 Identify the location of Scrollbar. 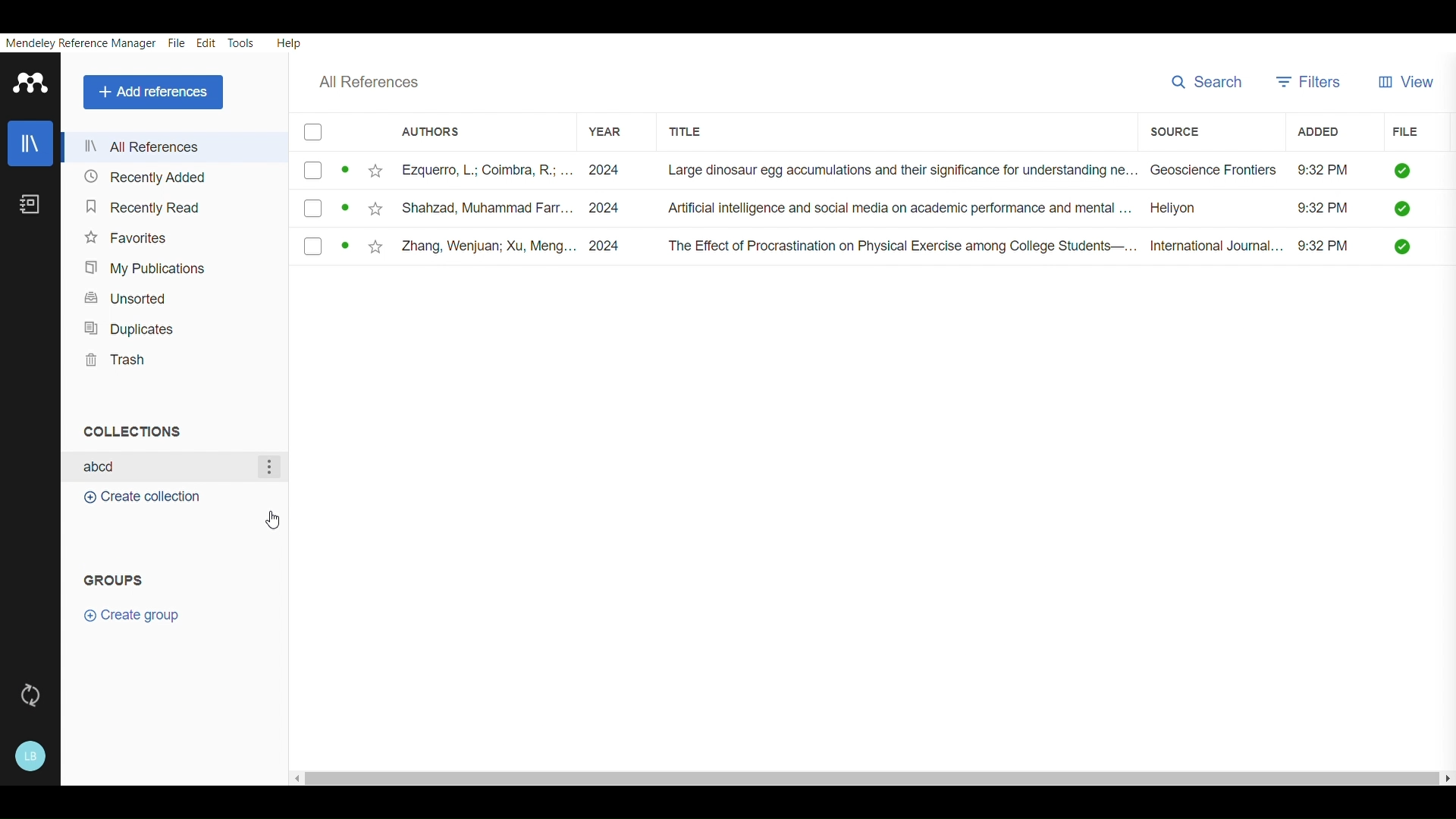
(869, 774).